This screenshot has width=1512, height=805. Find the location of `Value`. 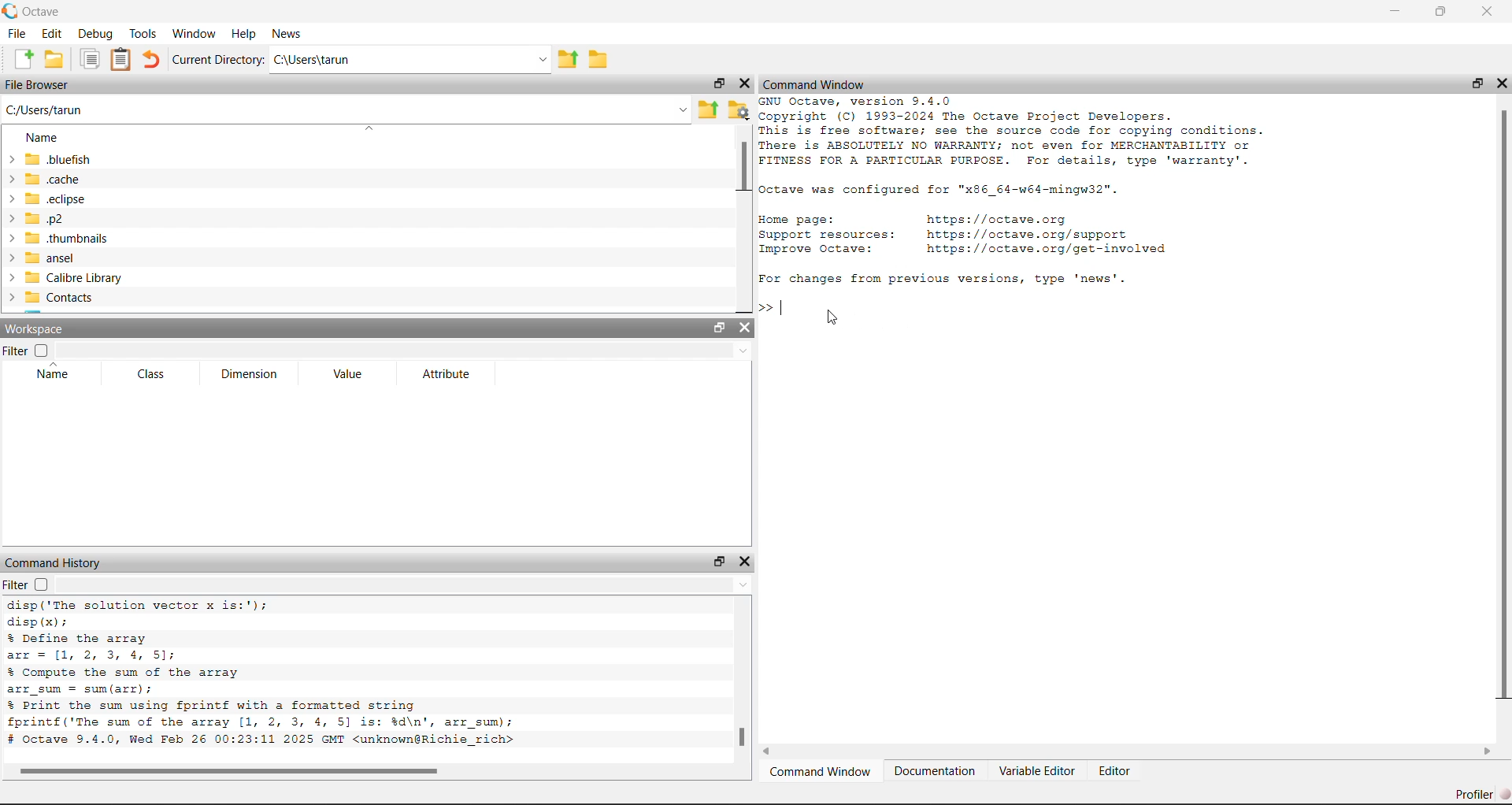

Value is located at coordinates (352, 373).